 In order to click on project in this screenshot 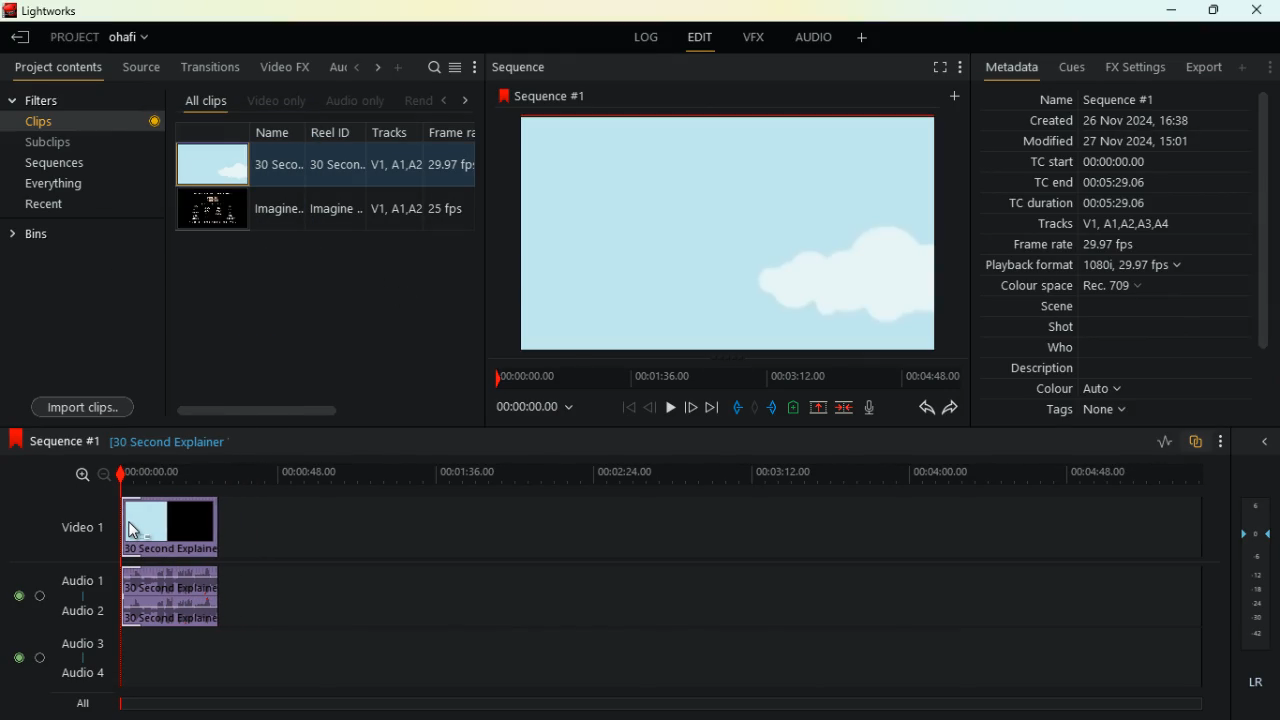, I will do `click(106, 37)`.